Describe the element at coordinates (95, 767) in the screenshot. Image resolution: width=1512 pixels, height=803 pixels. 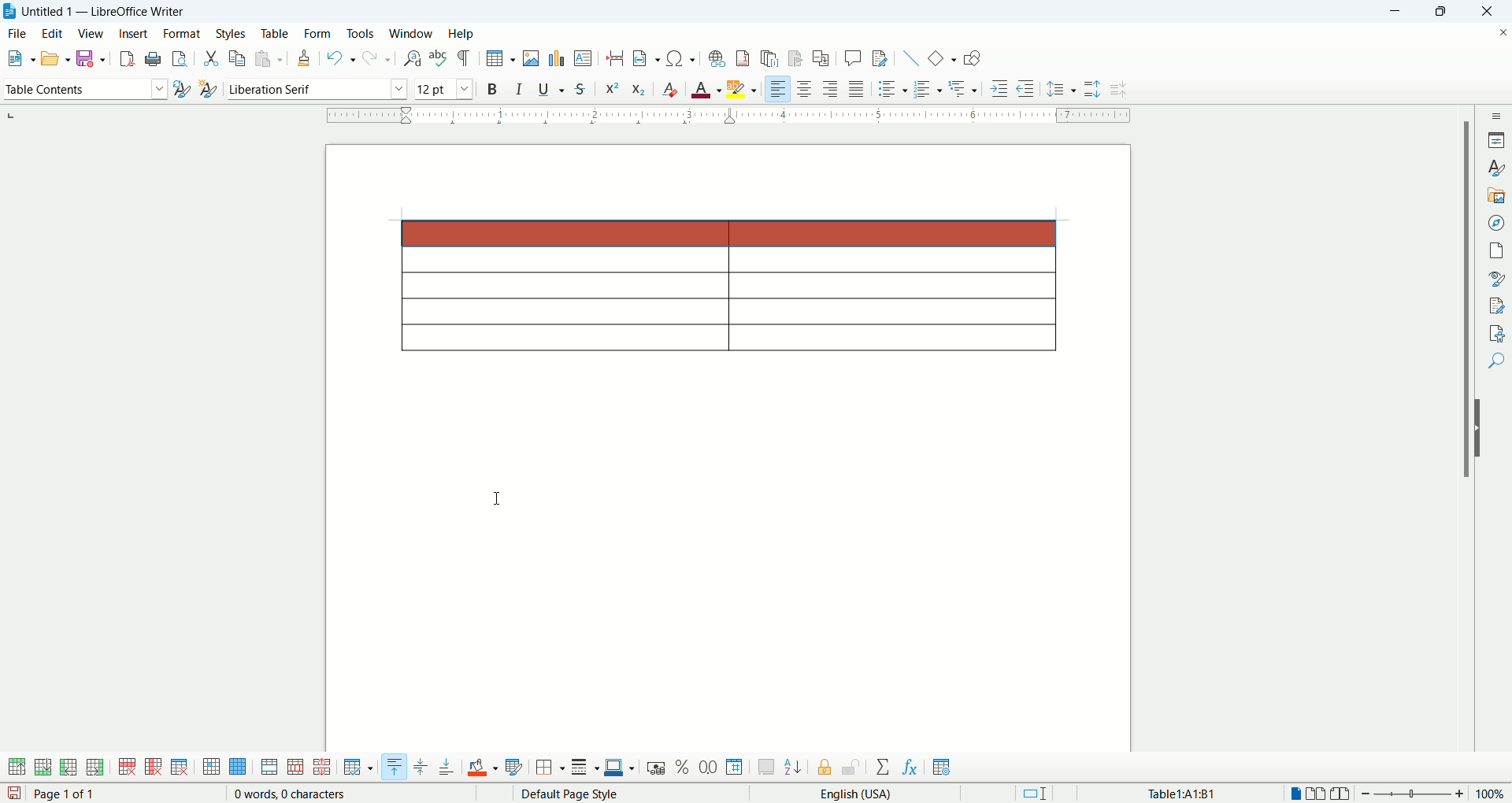
I see `insert row after` at that location.